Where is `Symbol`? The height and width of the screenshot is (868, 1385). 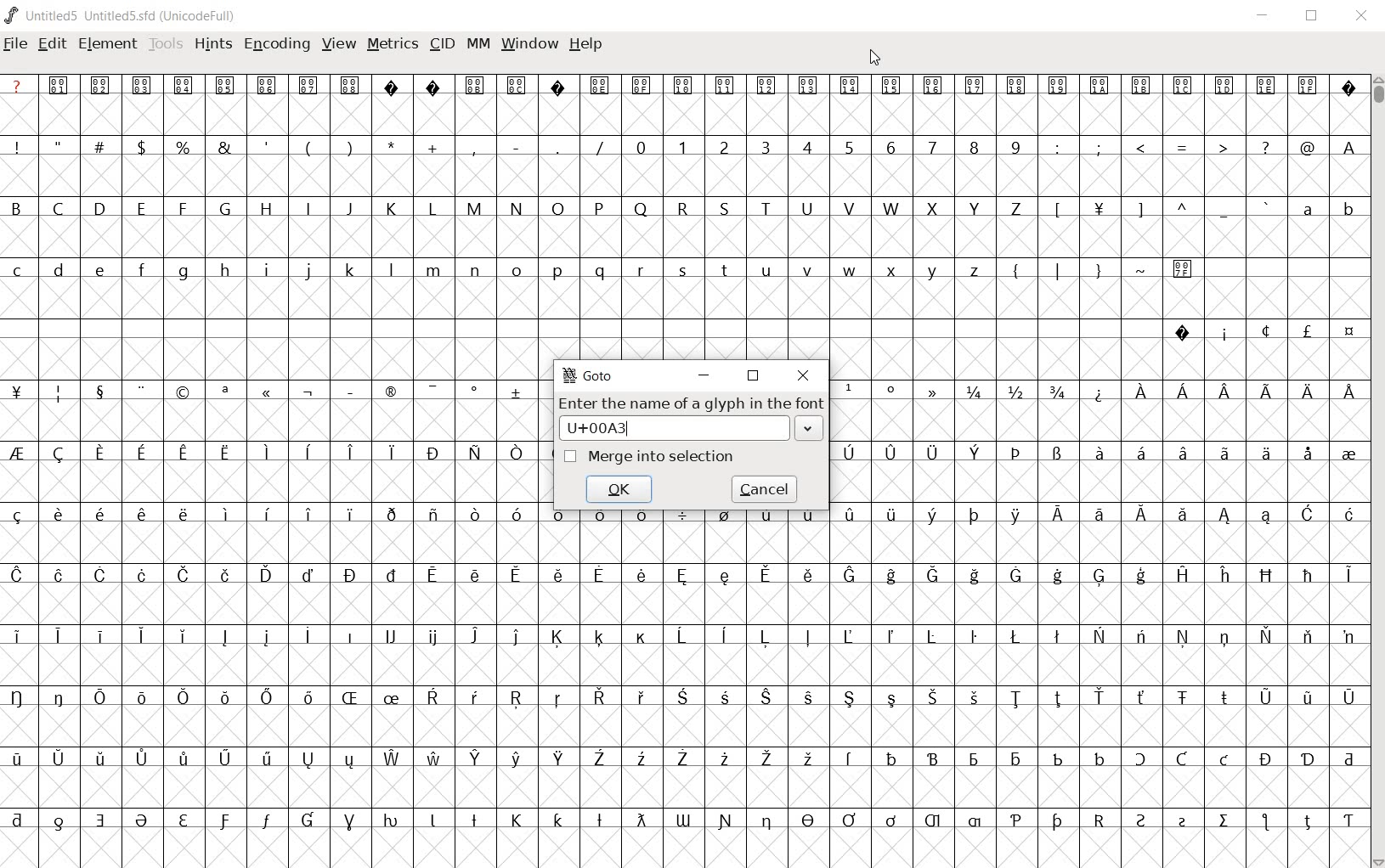 Symbol is located at coordinates (642, 637).